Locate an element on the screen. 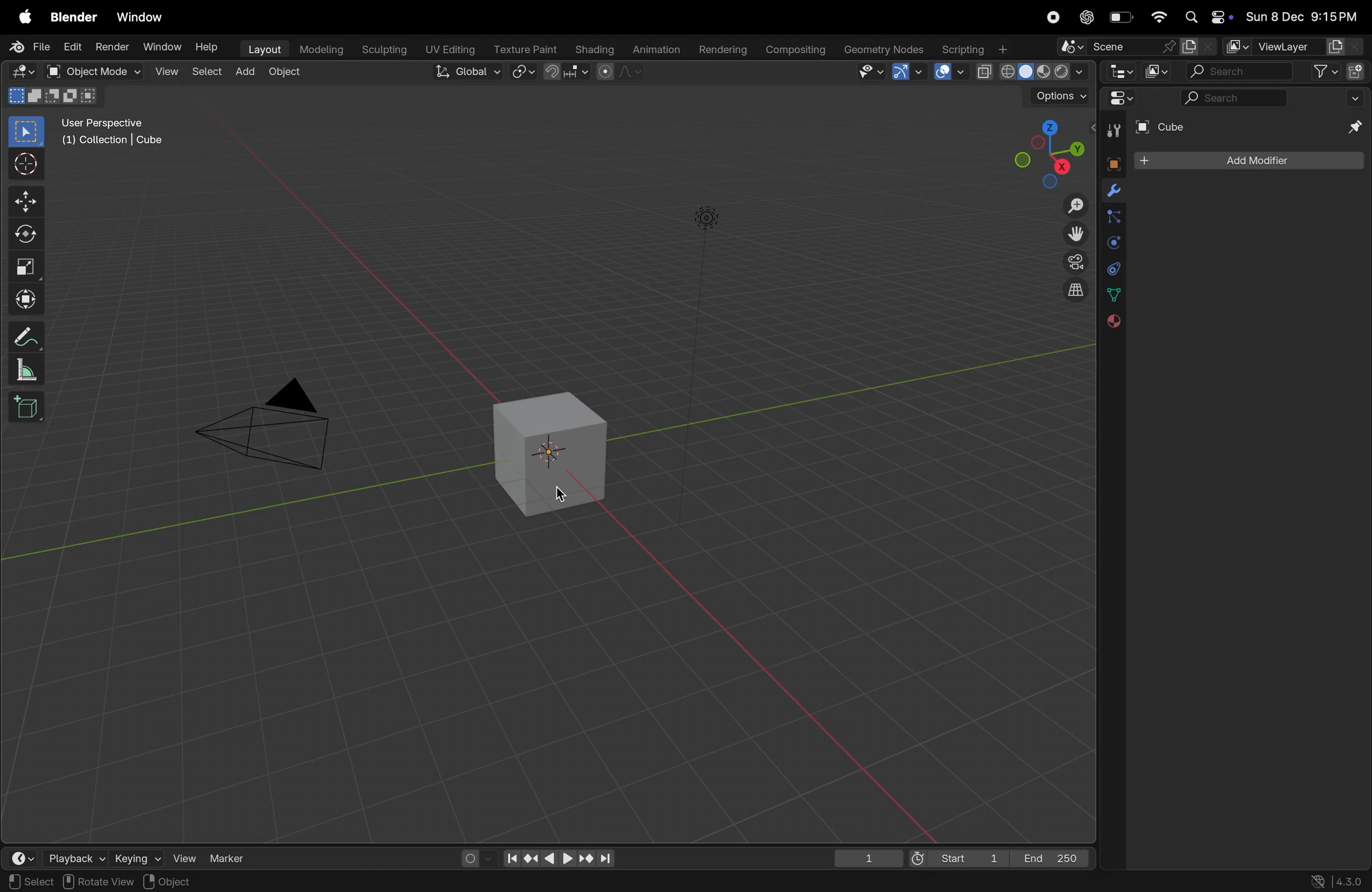 The width and height of the screenshot is (1372, 892). texture point is located at coordinates (527, 49).